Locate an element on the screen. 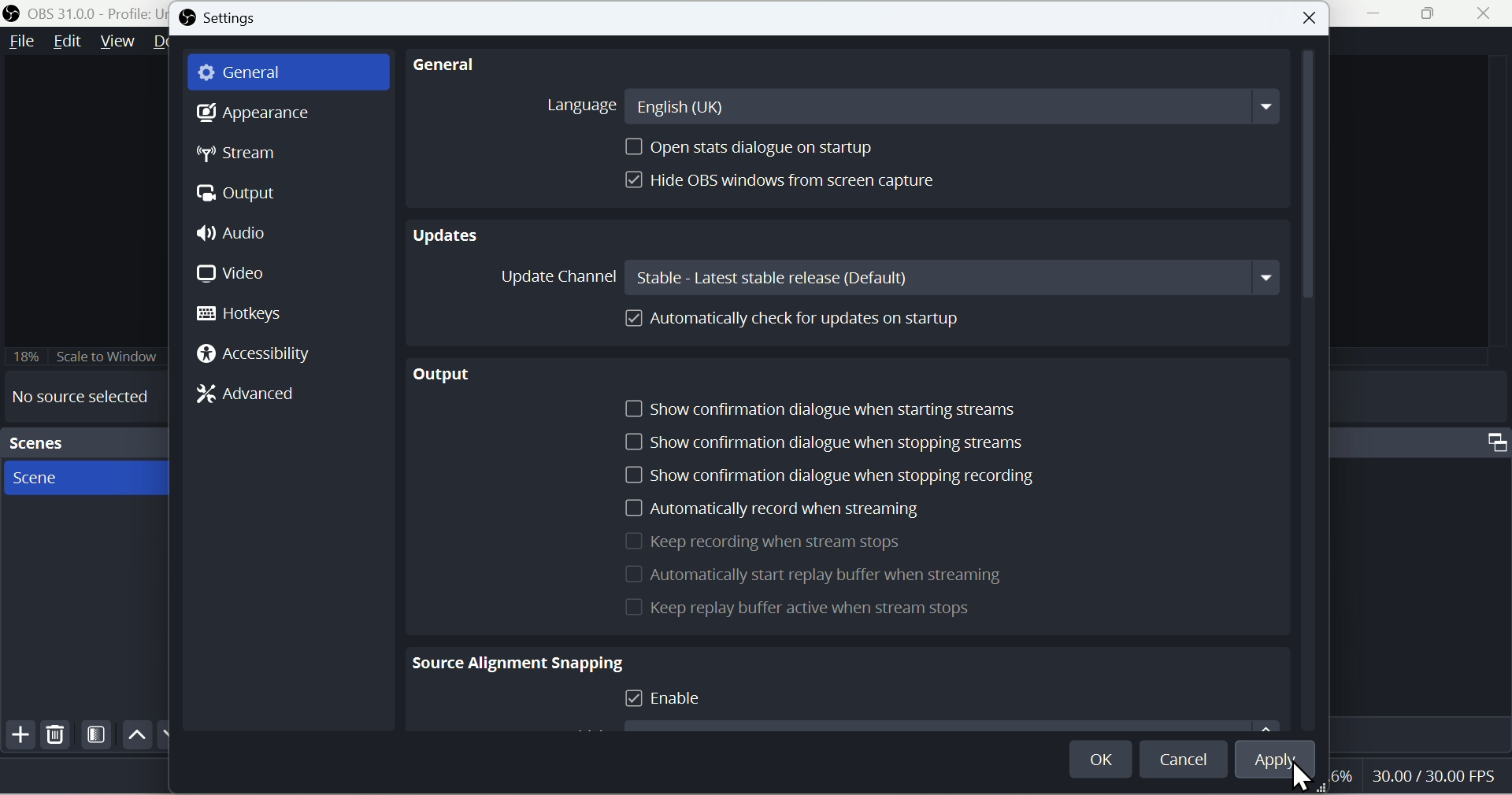  Automatically start replay buffer when is streaming is located at coordinates (813, 576).